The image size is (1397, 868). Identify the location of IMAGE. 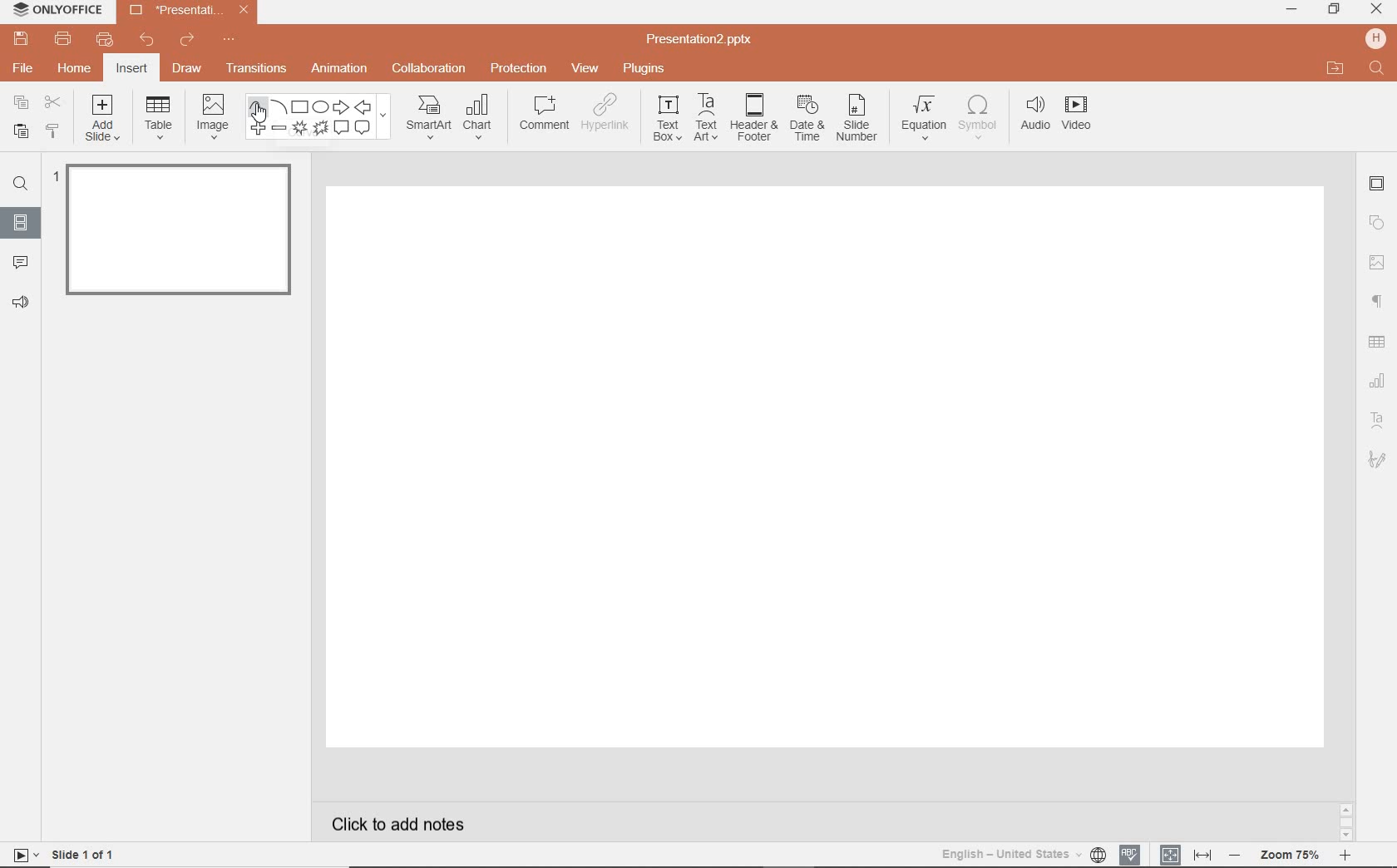
(213, 115).